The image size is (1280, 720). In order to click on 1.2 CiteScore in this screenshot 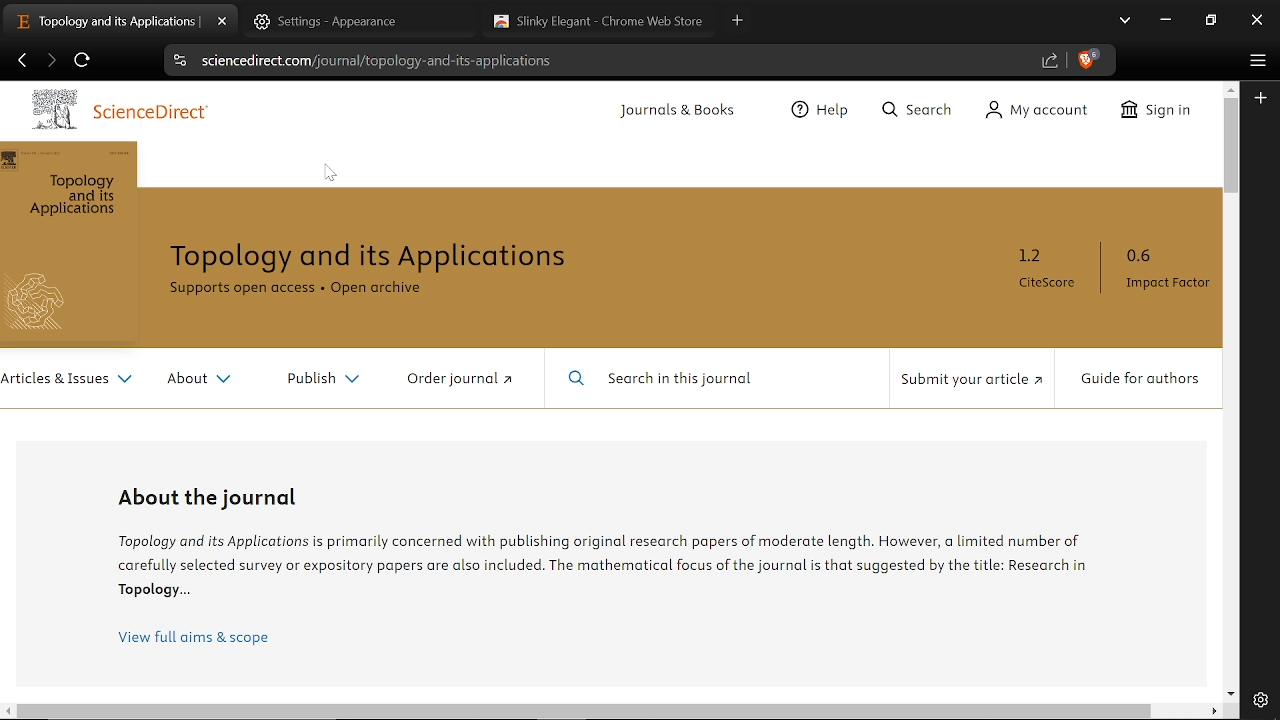, I will do `click(1047, 267)`.